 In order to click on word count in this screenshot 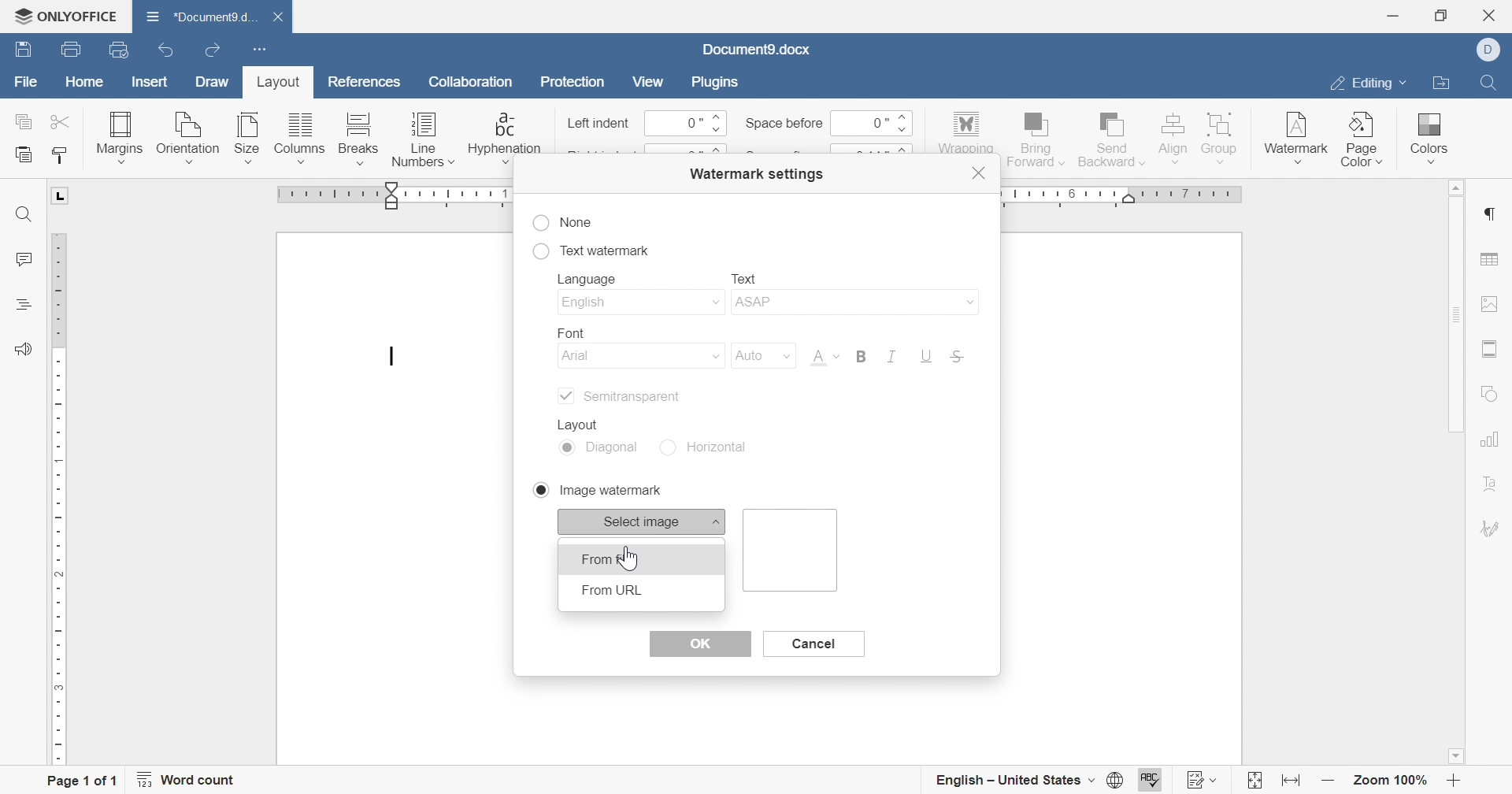, I will do `click(187, 780)`.